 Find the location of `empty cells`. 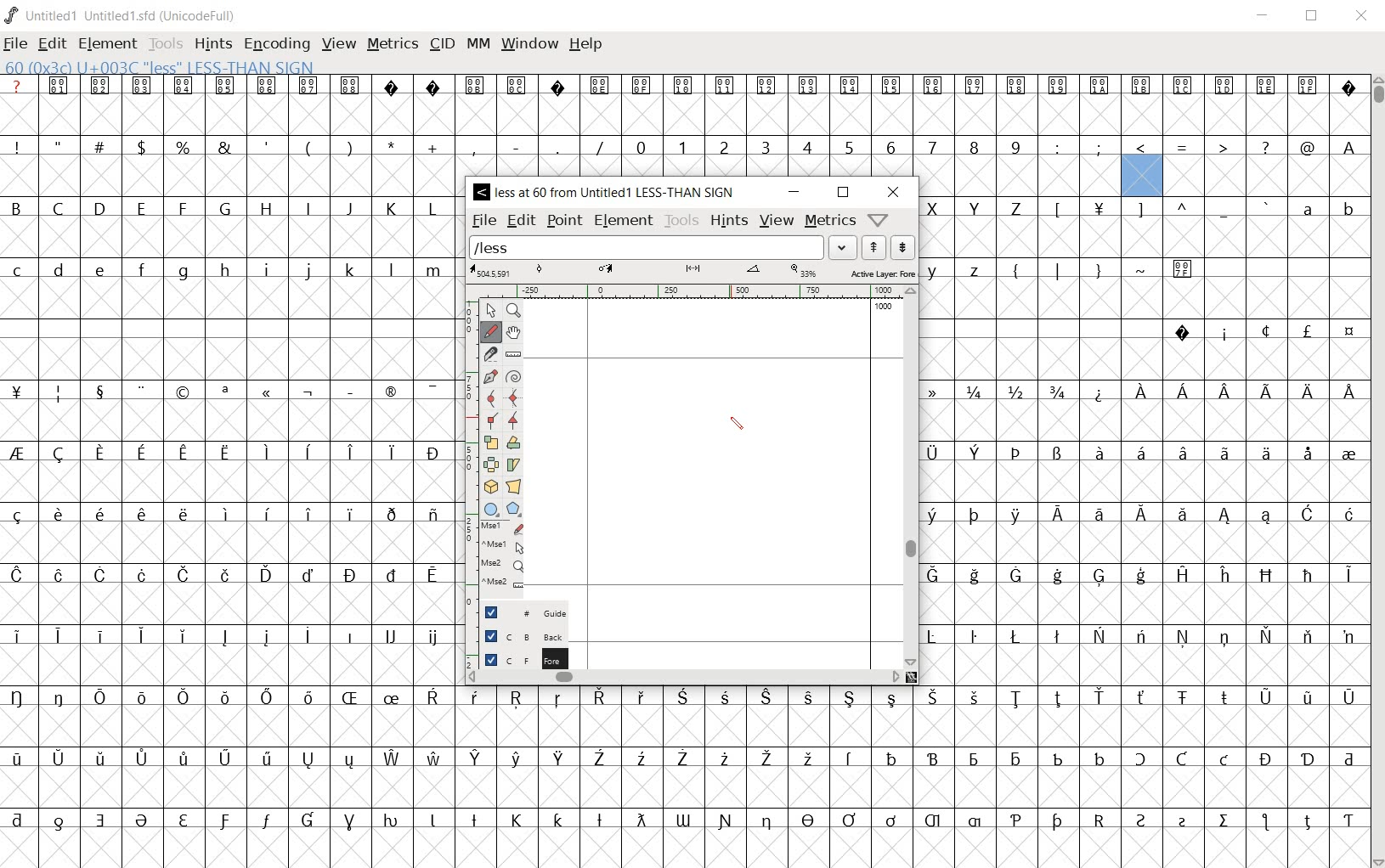

empty cells is located at coordinates (232, 357).